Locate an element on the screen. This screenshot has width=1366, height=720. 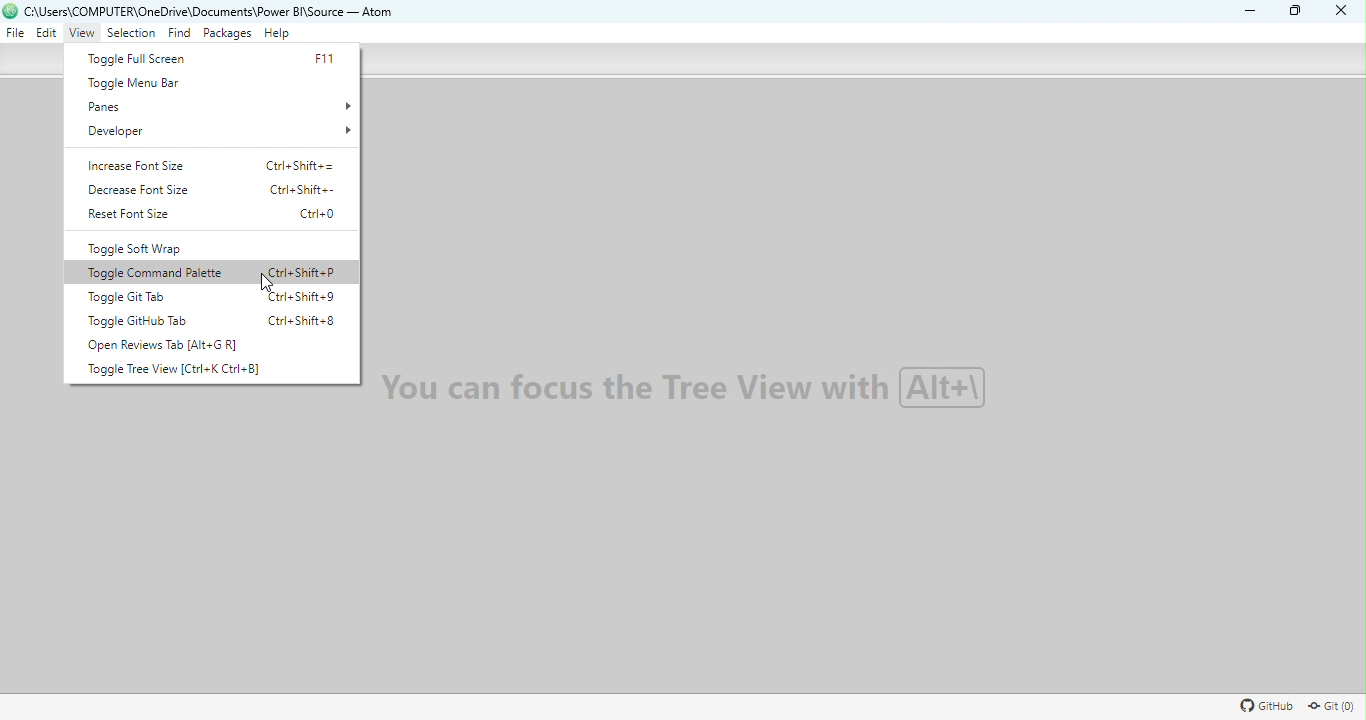
Panes is located at coordinates (219, 103).